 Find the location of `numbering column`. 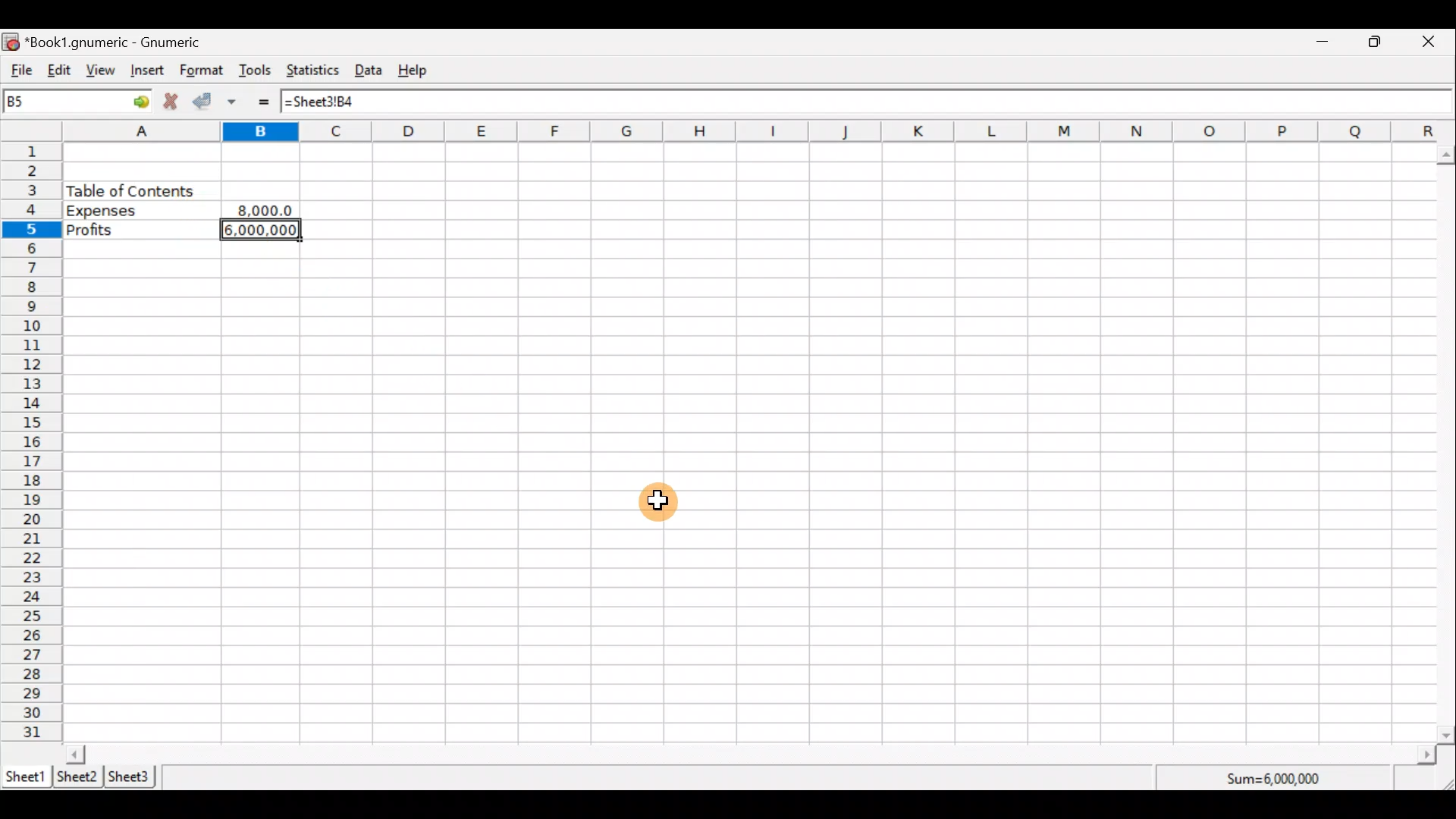

numbering column is located at coordinates (30, 444).